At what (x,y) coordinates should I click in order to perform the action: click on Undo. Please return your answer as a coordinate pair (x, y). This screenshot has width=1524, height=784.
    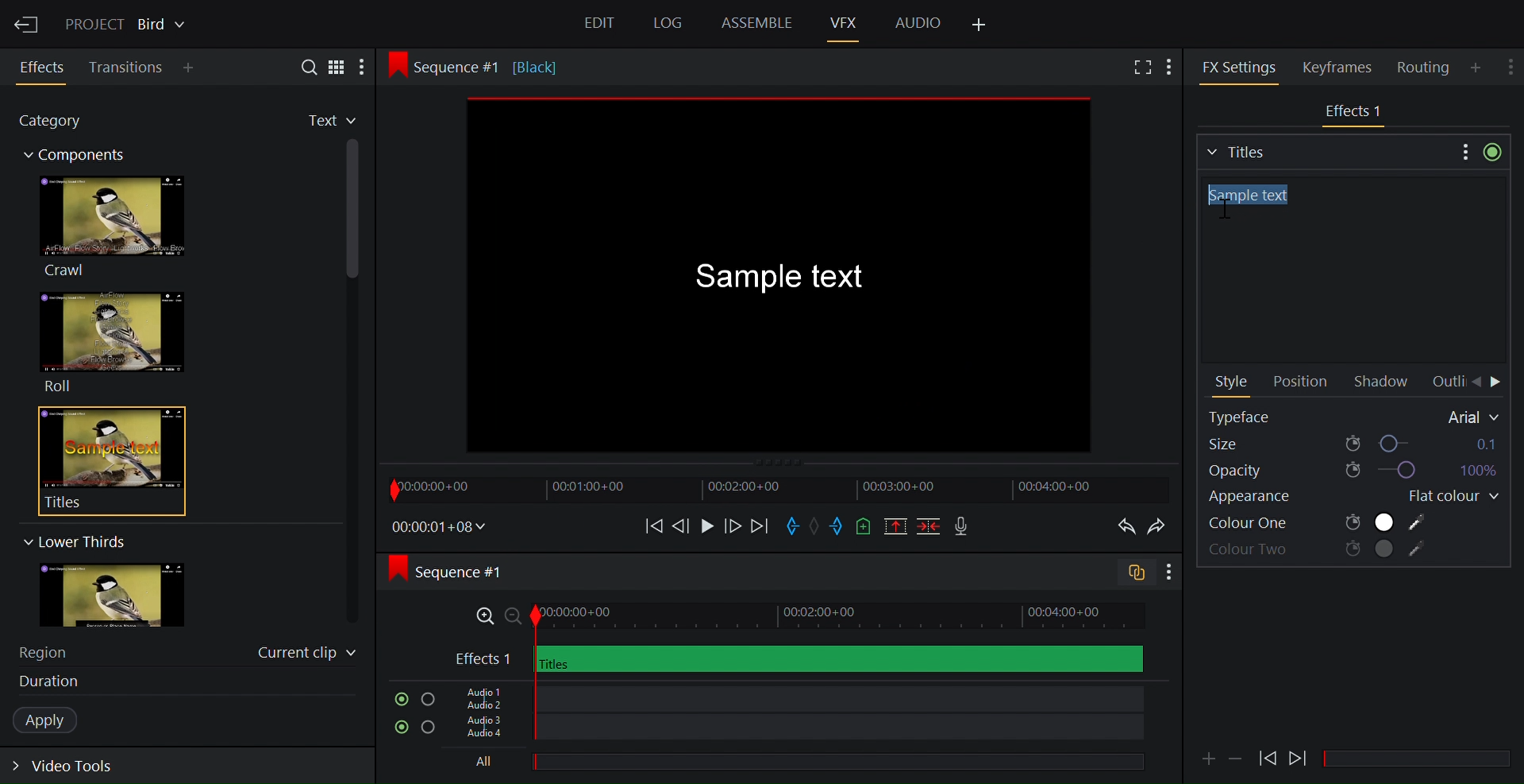
    Looking at the image, I should click on (1122, 527).